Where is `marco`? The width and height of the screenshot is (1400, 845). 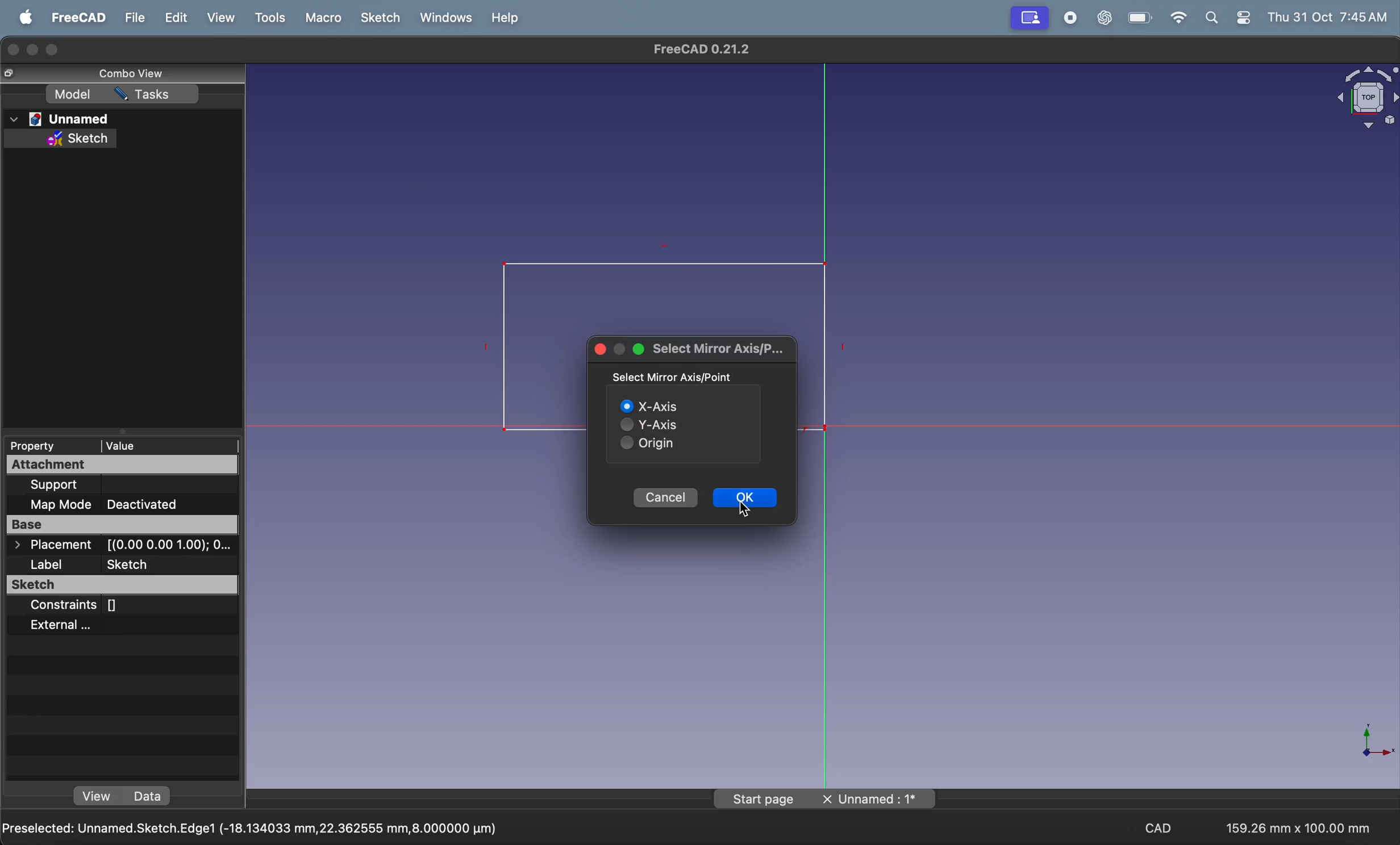
marco is located at coordinates (320, 19).